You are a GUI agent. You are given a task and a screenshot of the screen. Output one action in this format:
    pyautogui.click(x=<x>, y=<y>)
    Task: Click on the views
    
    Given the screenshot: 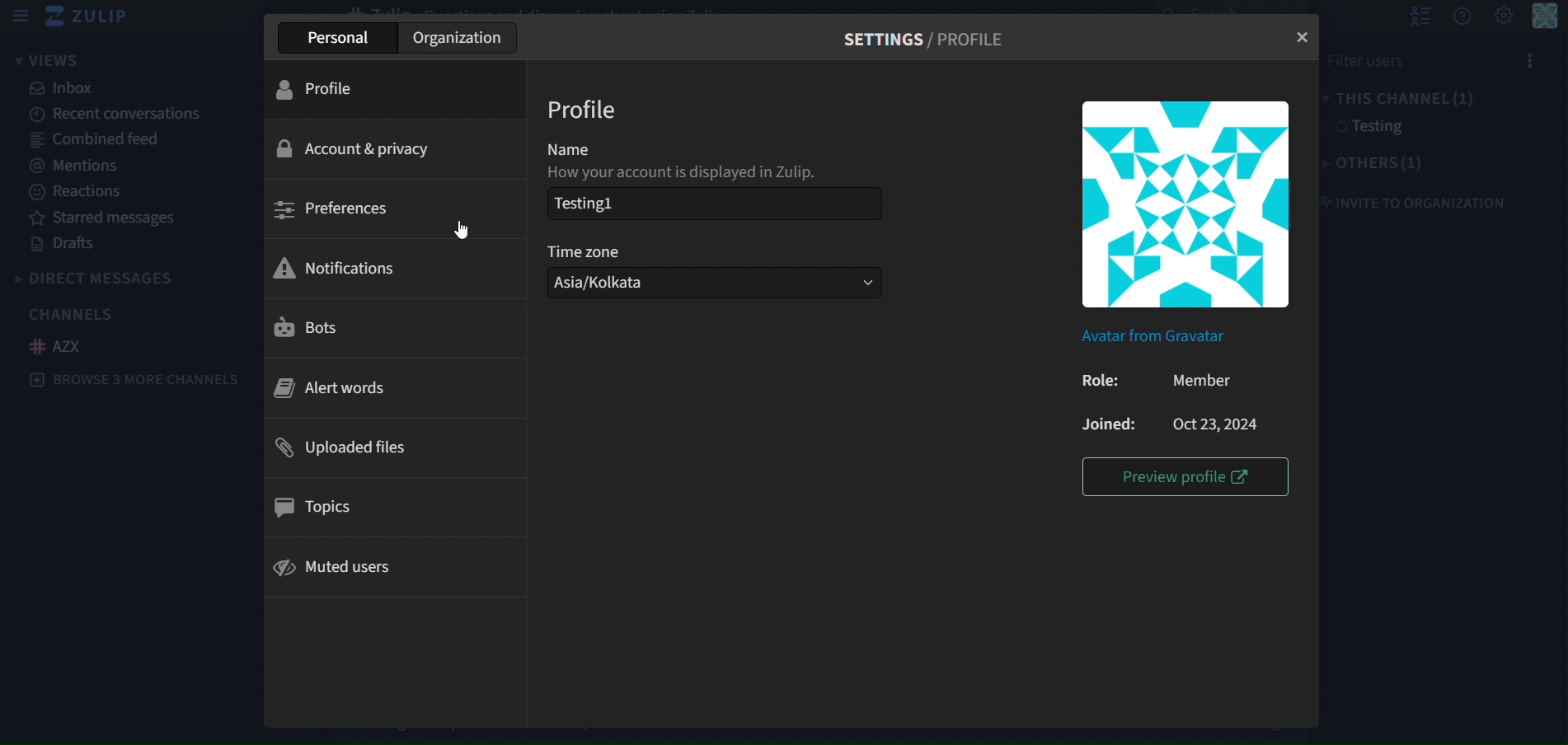 What is the action you would take?
    pyautogui.click(x=73, y=60)
    